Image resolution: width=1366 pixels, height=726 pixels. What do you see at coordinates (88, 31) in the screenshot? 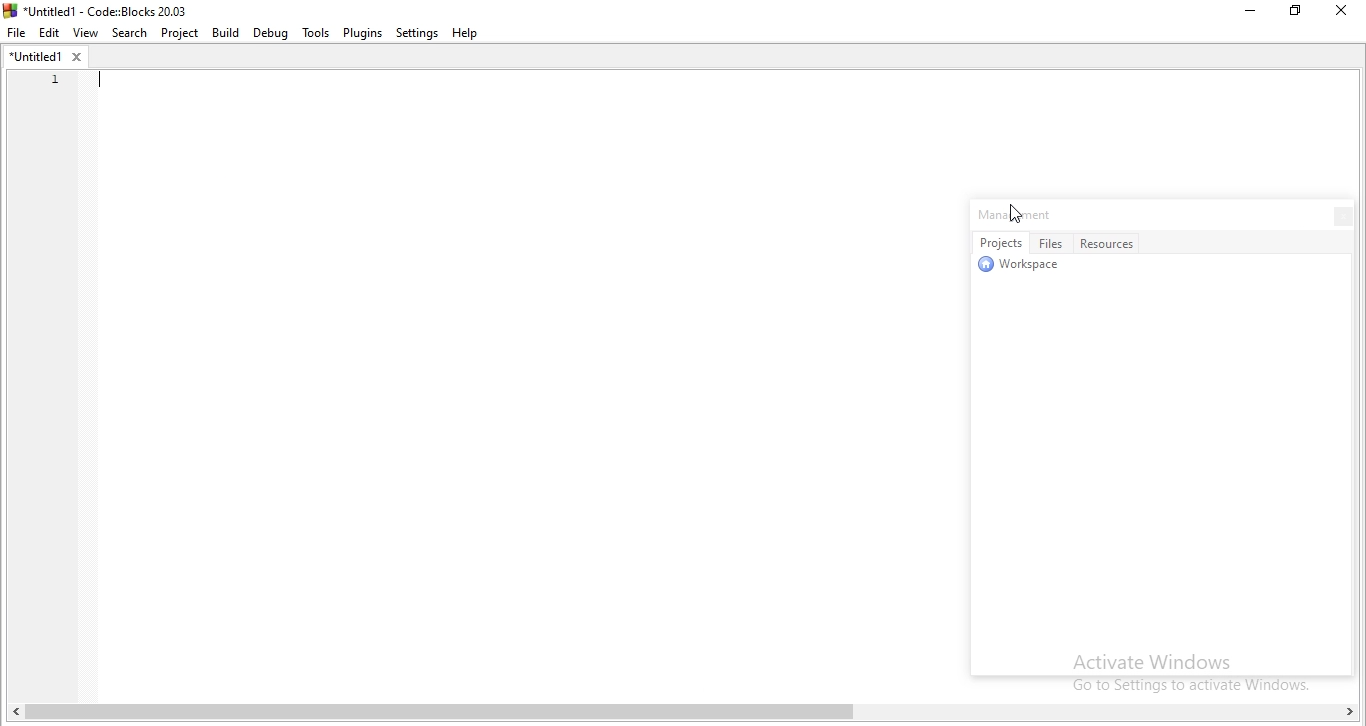
I see `View ` at bounding box center [88, 31].